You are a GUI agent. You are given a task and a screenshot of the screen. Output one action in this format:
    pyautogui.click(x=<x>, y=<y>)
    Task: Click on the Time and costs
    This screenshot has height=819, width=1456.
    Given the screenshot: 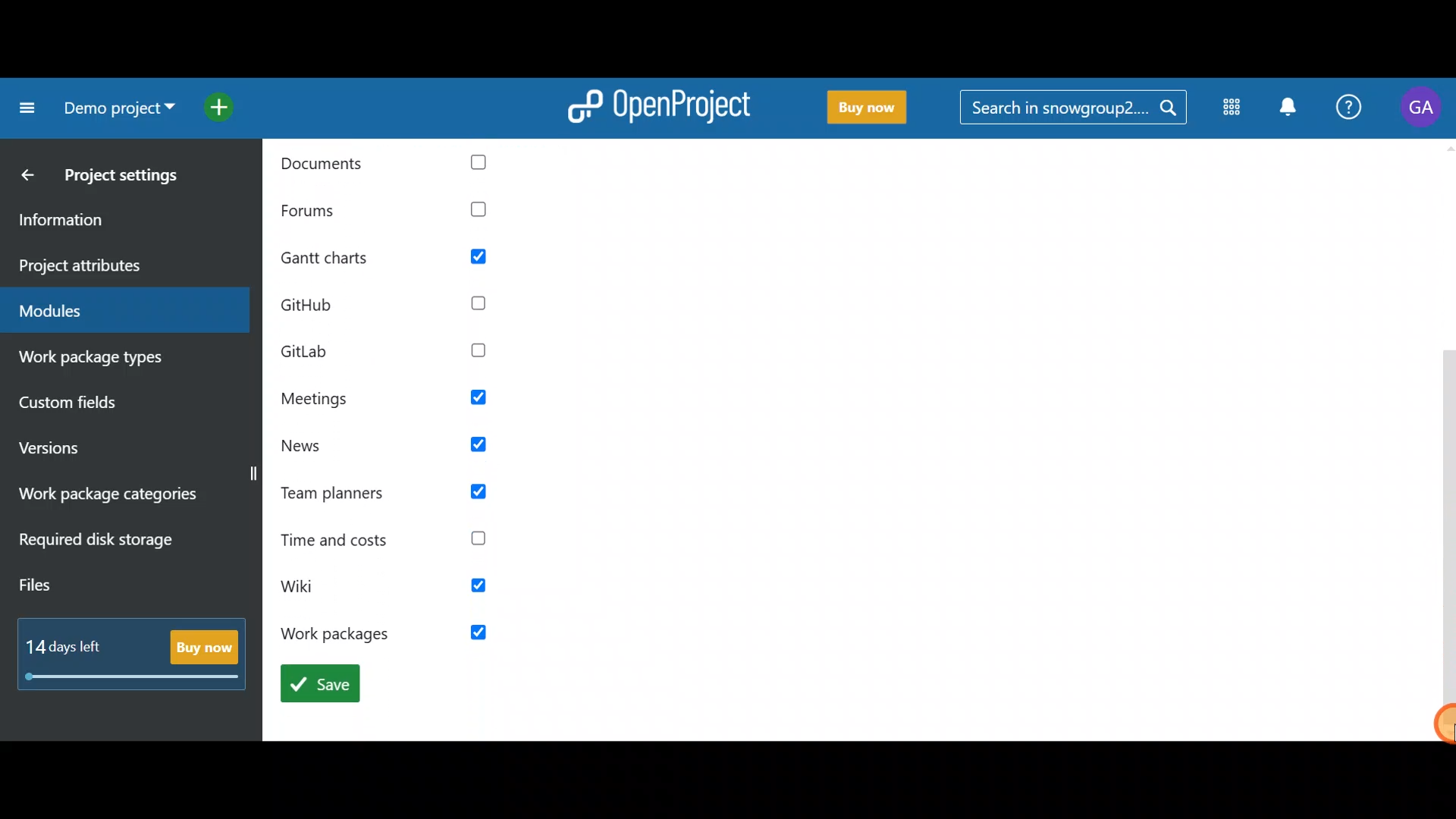 What is the action you would take?
    pyautogui.click(x=390, y=538)
    